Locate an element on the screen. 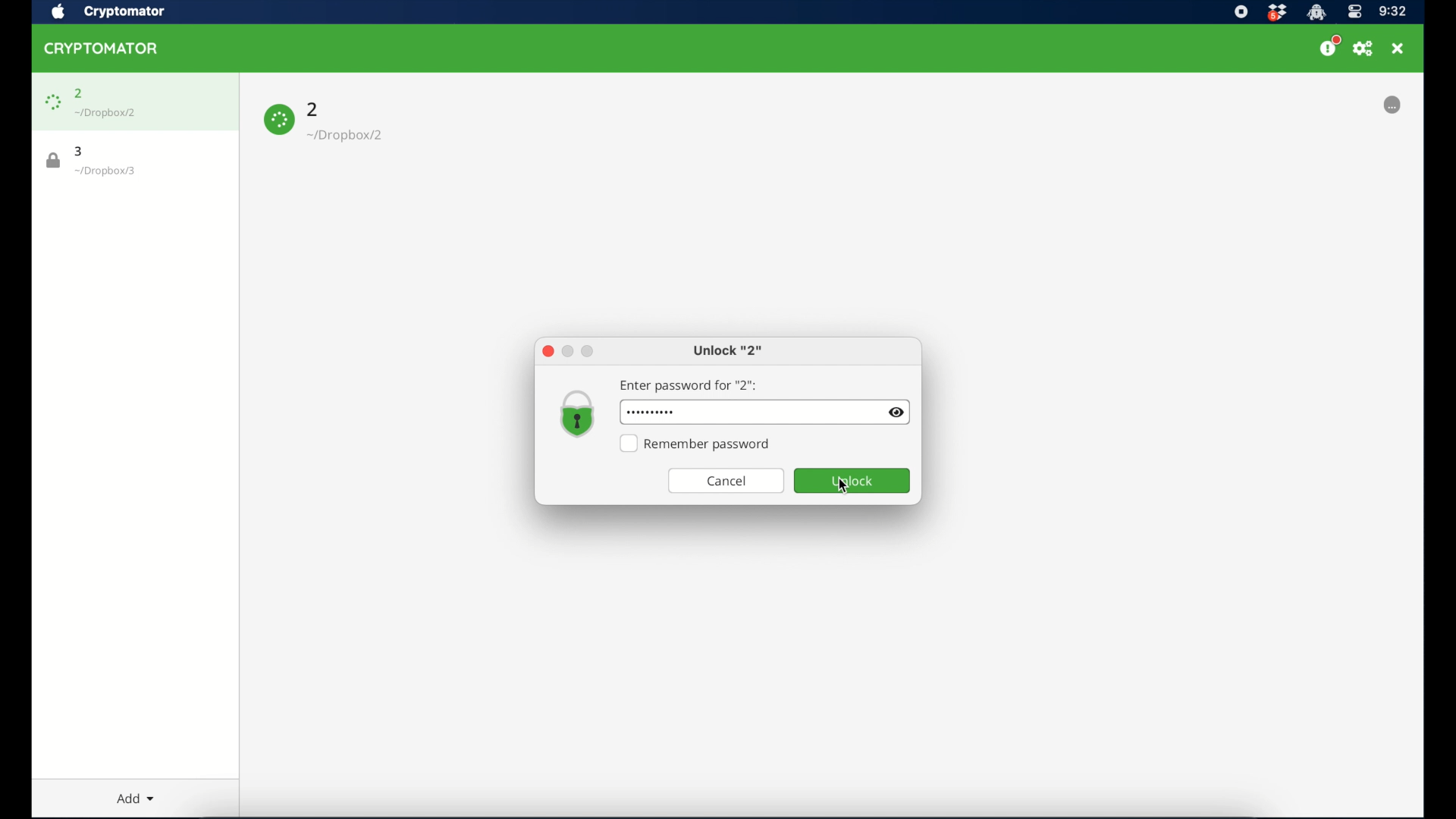 The height and width of the screenshot is (819, 1456). cursor is located at coordinates (842, 485).